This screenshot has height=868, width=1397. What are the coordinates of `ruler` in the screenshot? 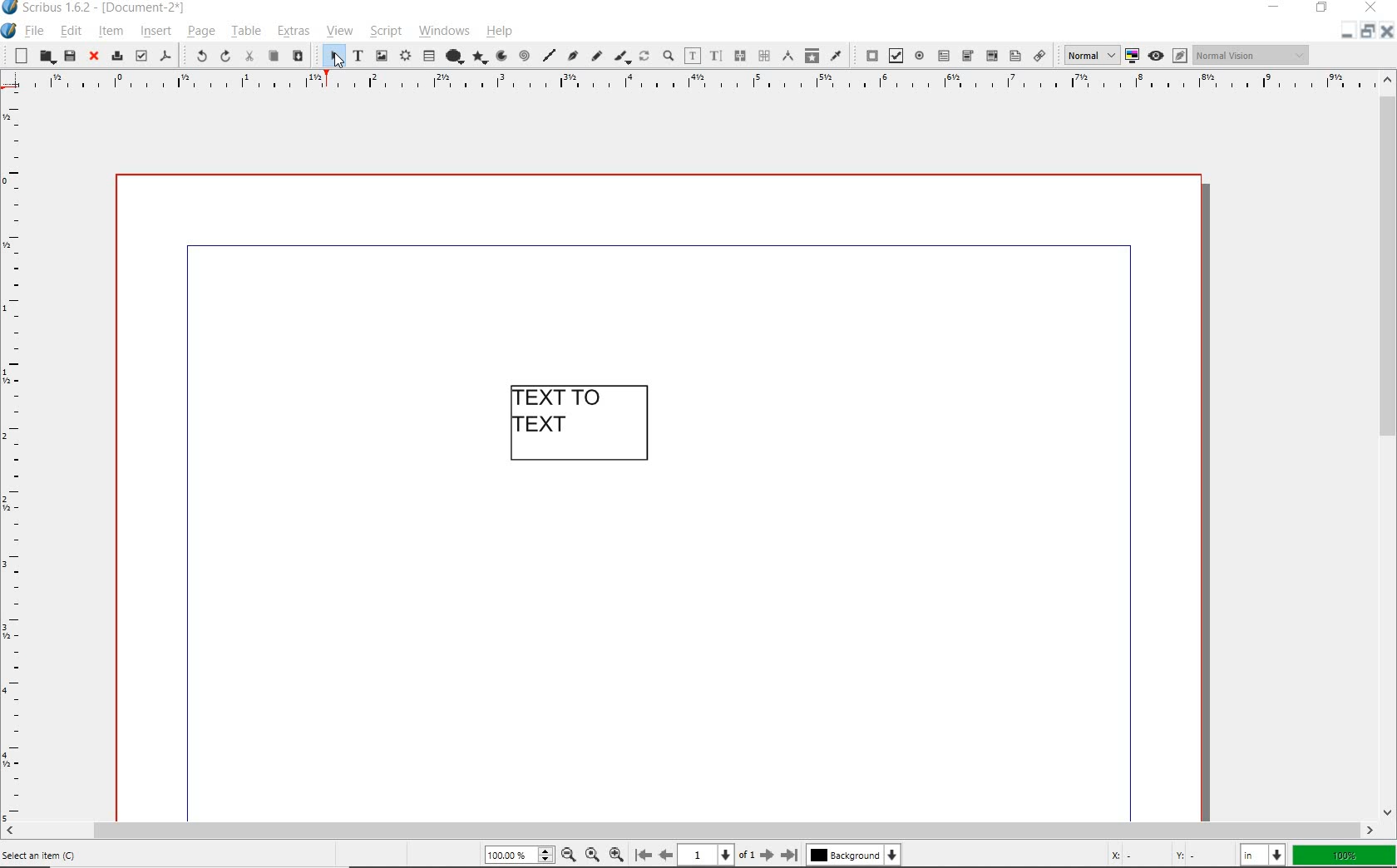 It's located at (694, 86).